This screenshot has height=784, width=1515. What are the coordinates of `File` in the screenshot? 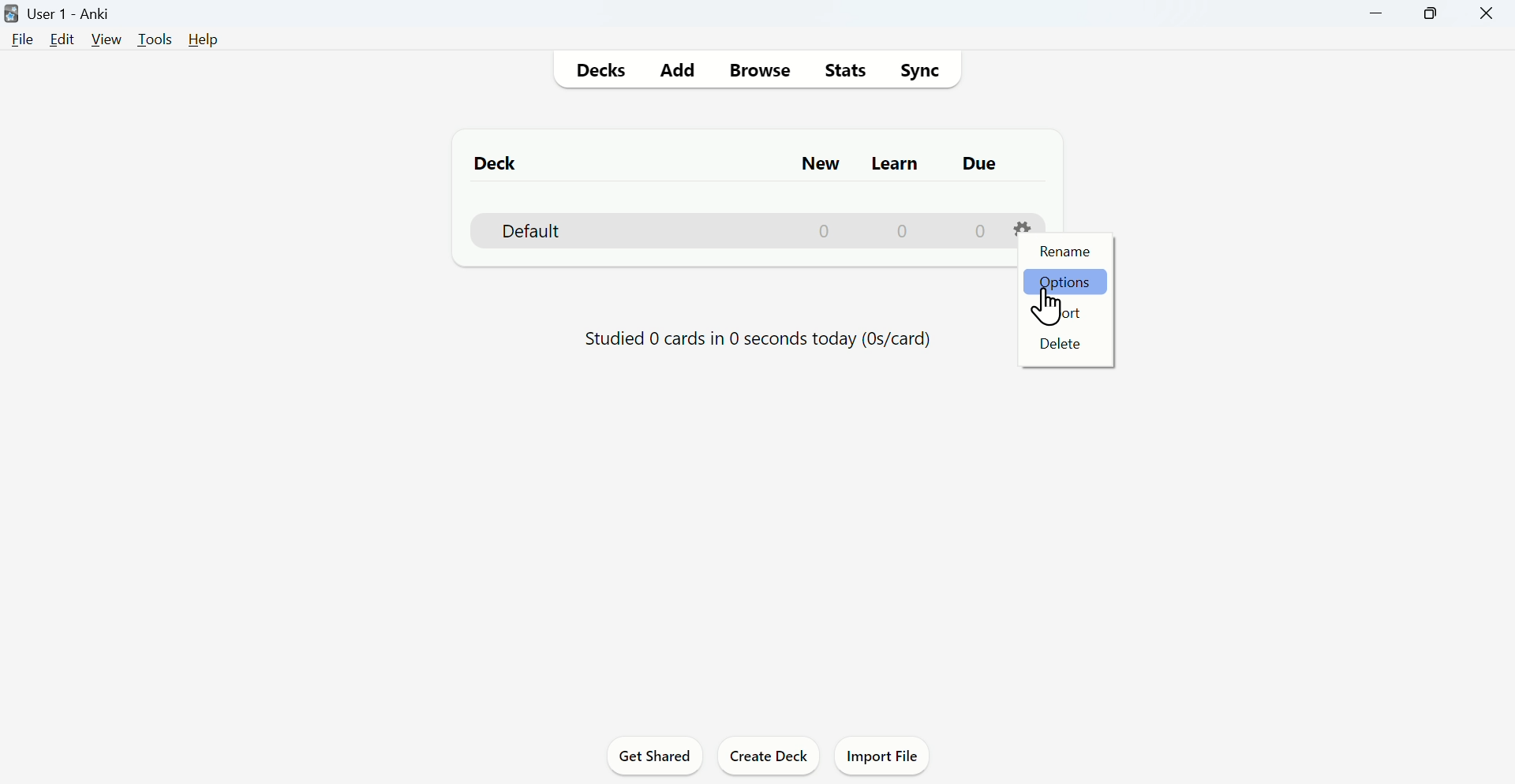 It's located at (20, 40).